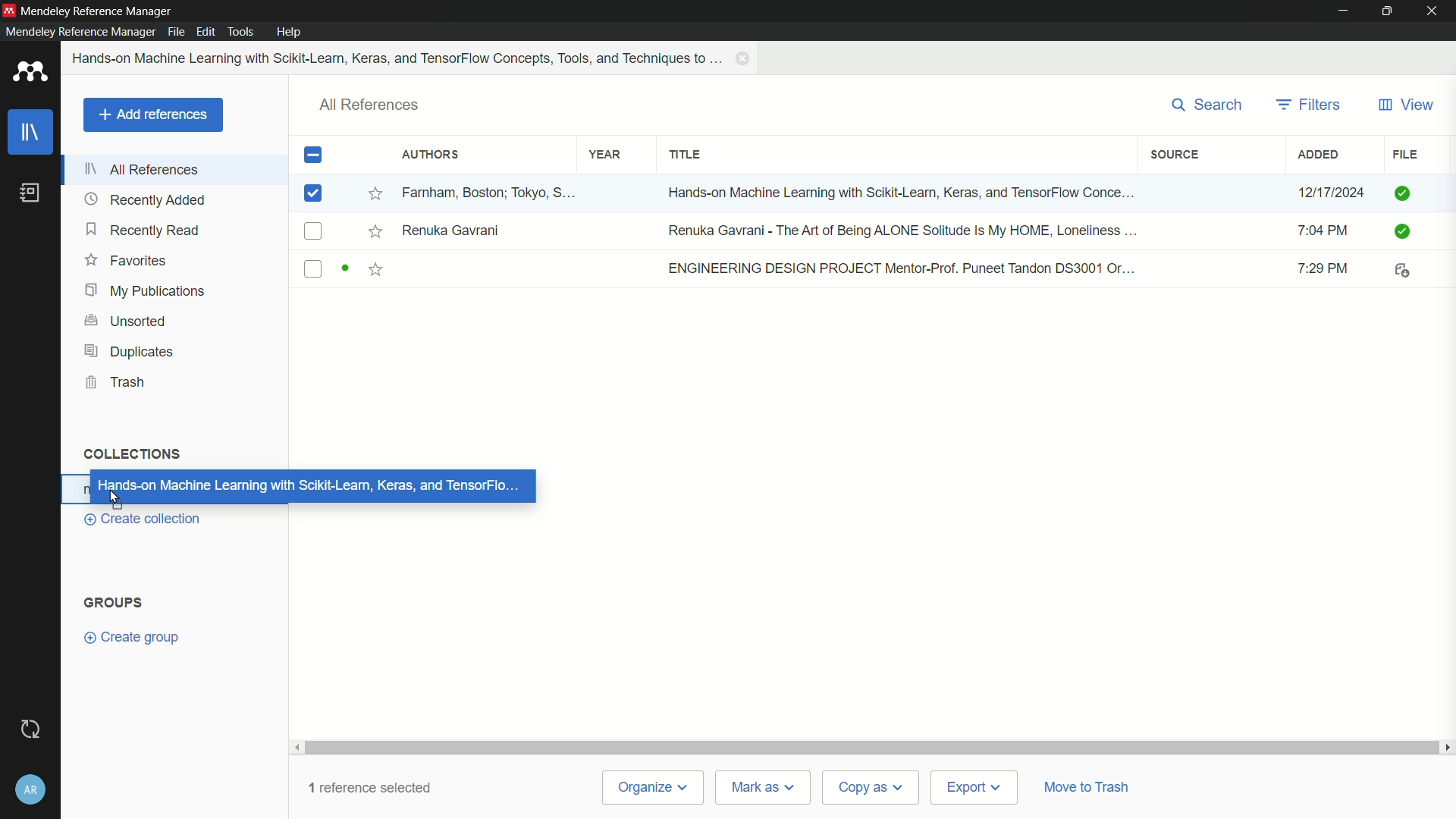 The image size is (1456, 819). Describe the element at coordinates (399, 58) in the screenshot. I see `book name` at that location.